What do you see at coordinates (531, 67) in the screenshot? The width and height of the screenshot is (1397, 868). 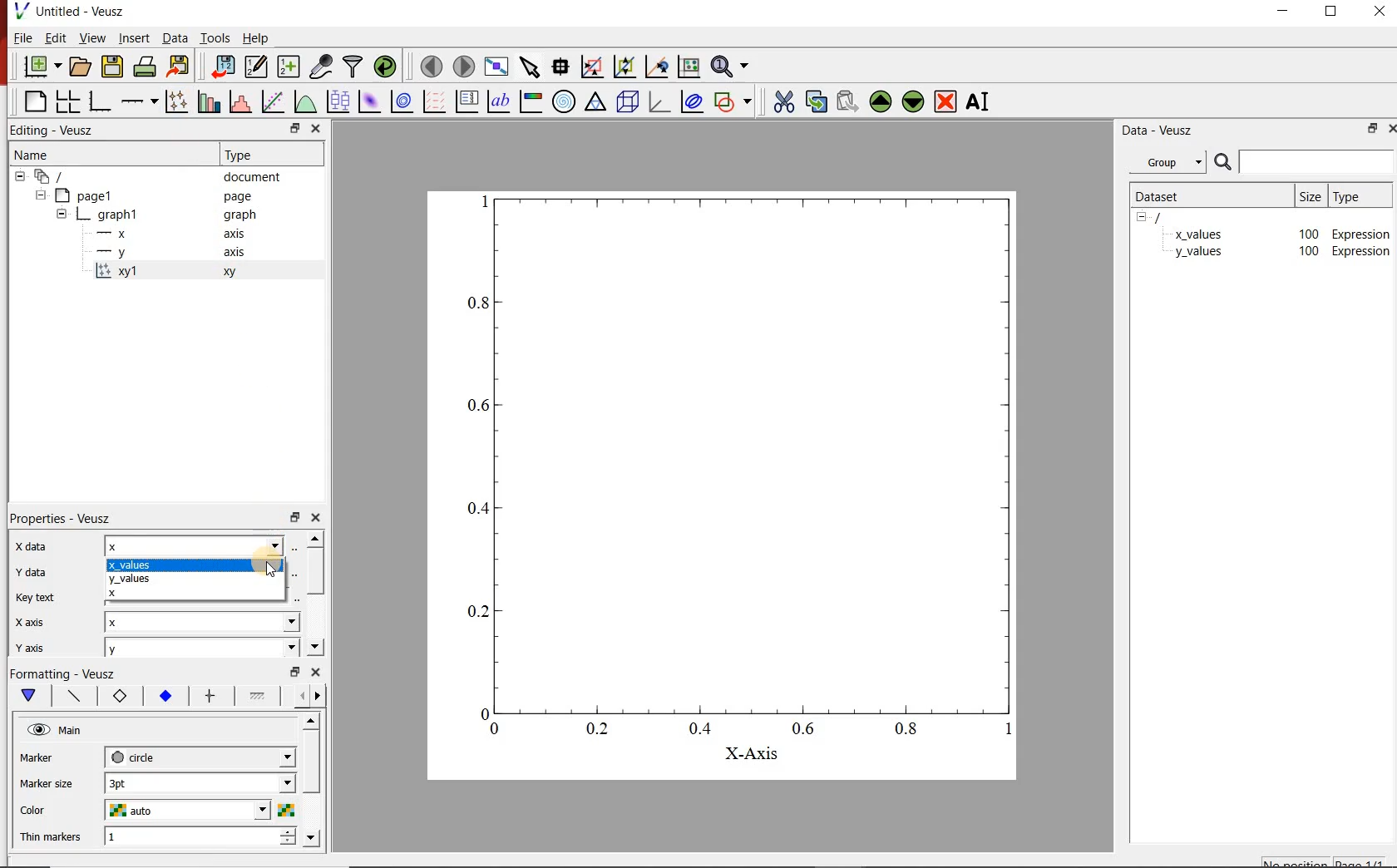 I see `select items from the graph` at bounding box center [531, 67].